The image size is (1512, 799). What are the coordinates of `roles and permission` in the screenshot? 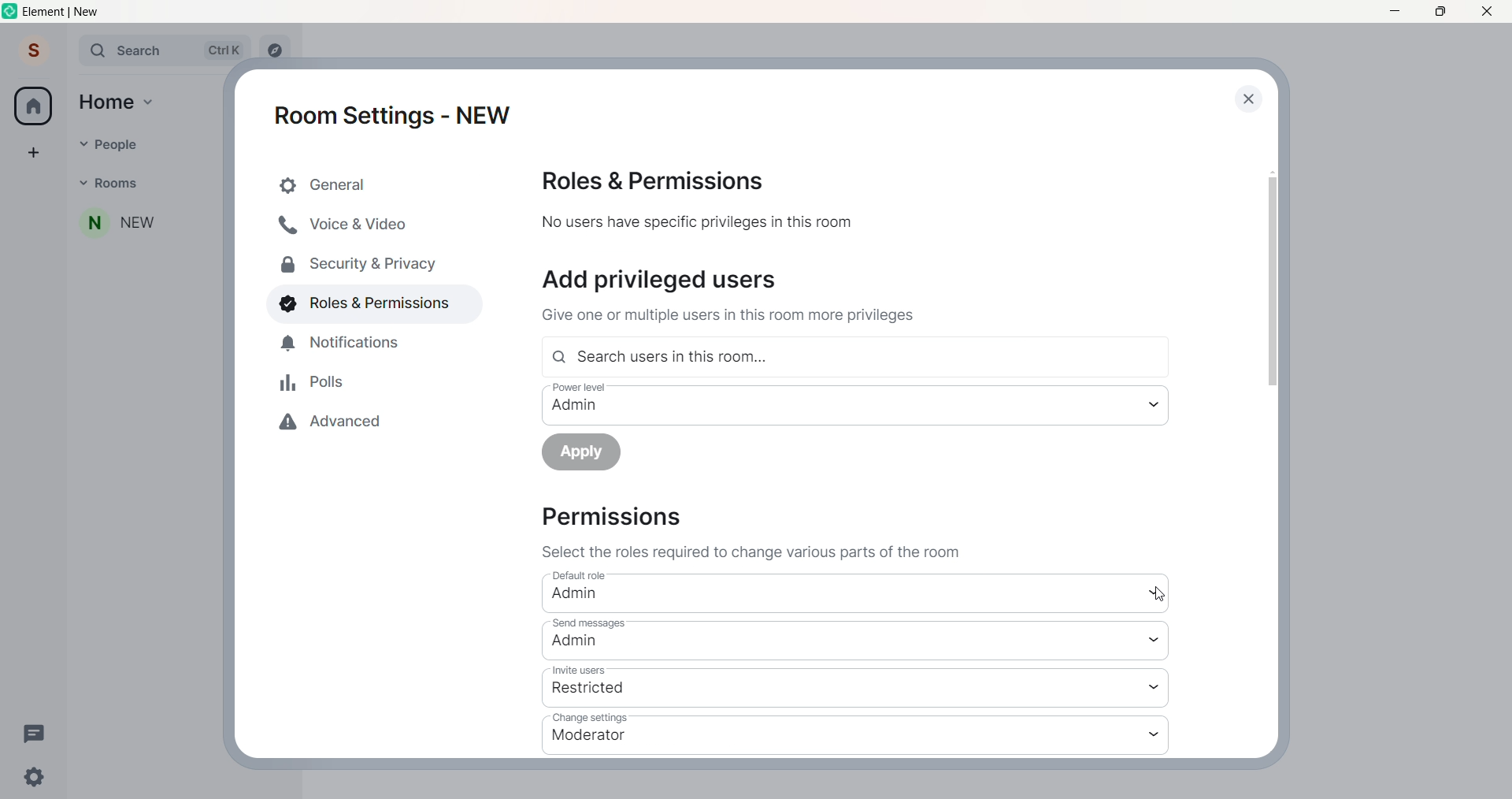 It's located at (660, 180).